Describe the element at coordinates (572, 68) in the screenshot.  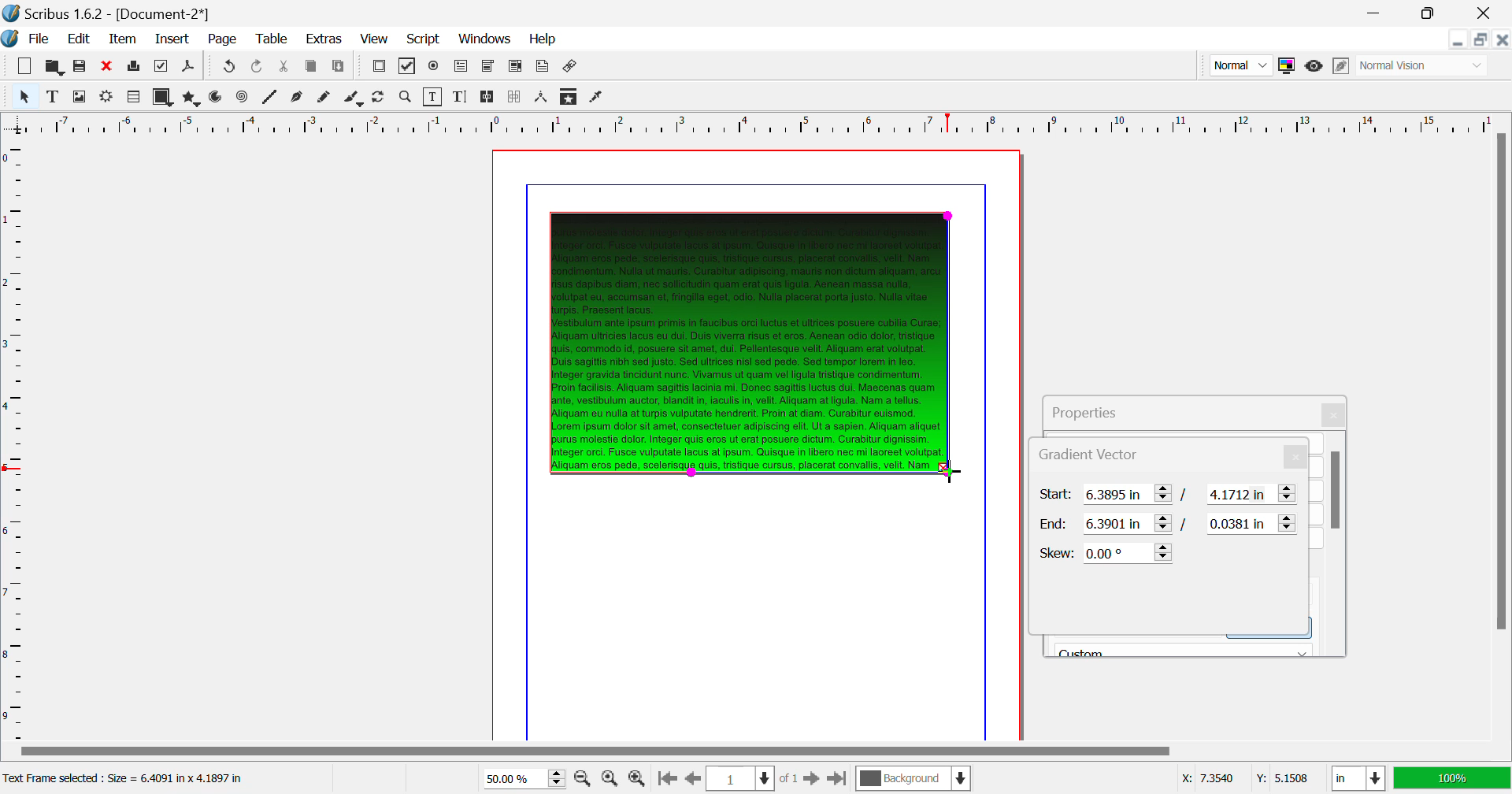
I see `Link Annotation` at that location.